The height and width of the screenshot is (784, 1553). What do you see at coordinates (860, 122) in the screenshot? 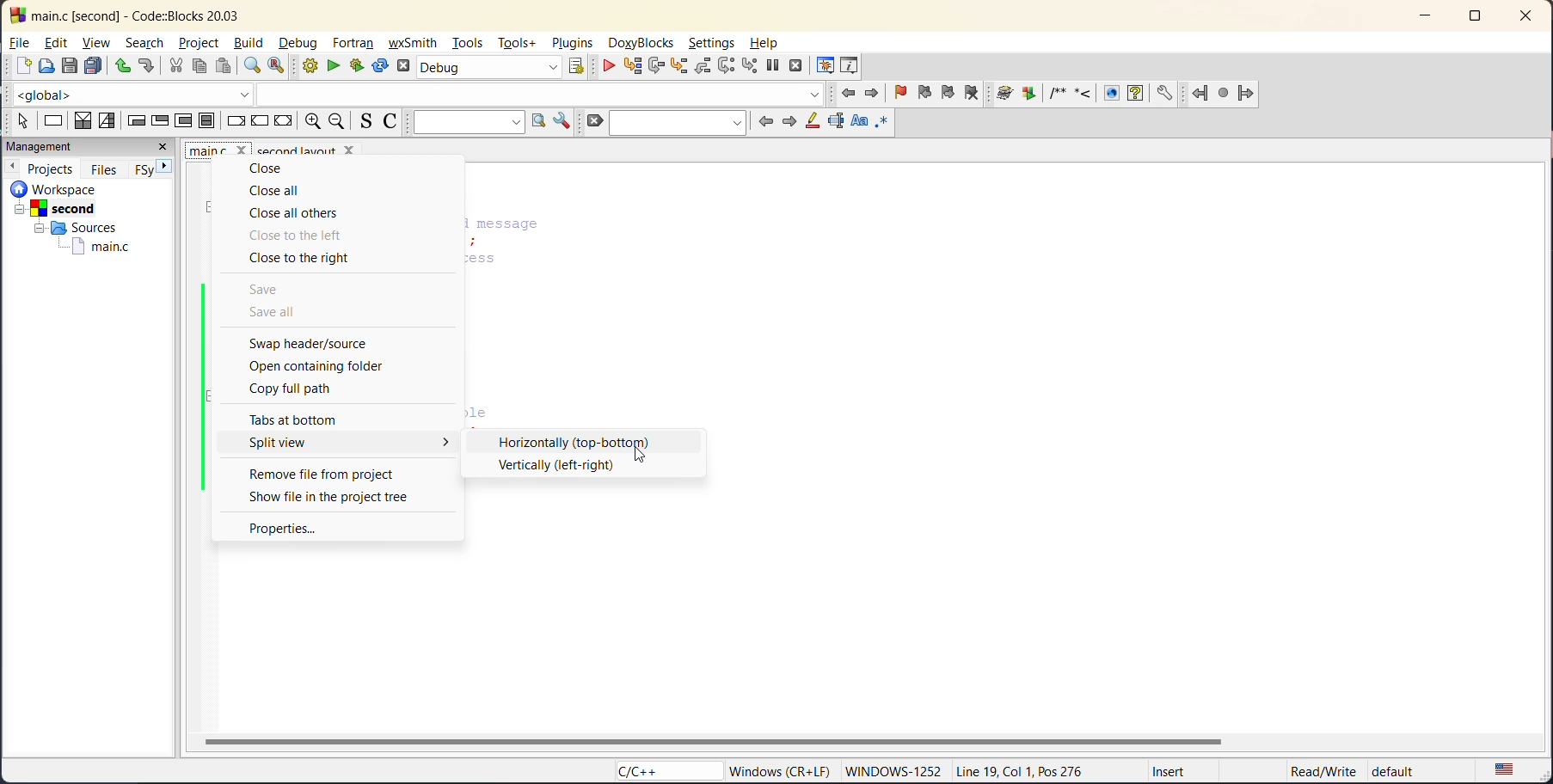
I see `match case` at bounding box center [860, 122].